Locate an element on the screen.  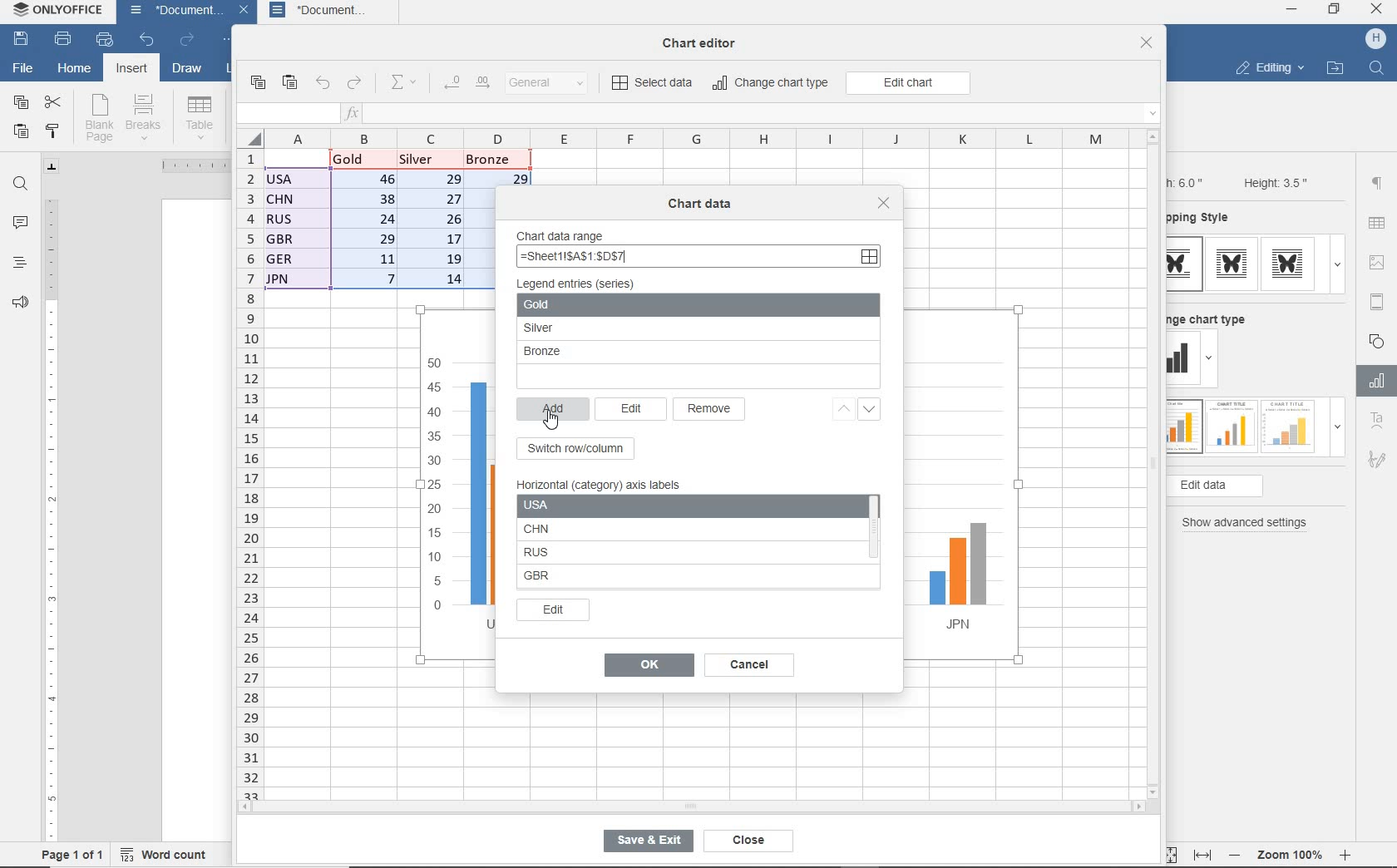
redo  is located at coordinates (355, 84).